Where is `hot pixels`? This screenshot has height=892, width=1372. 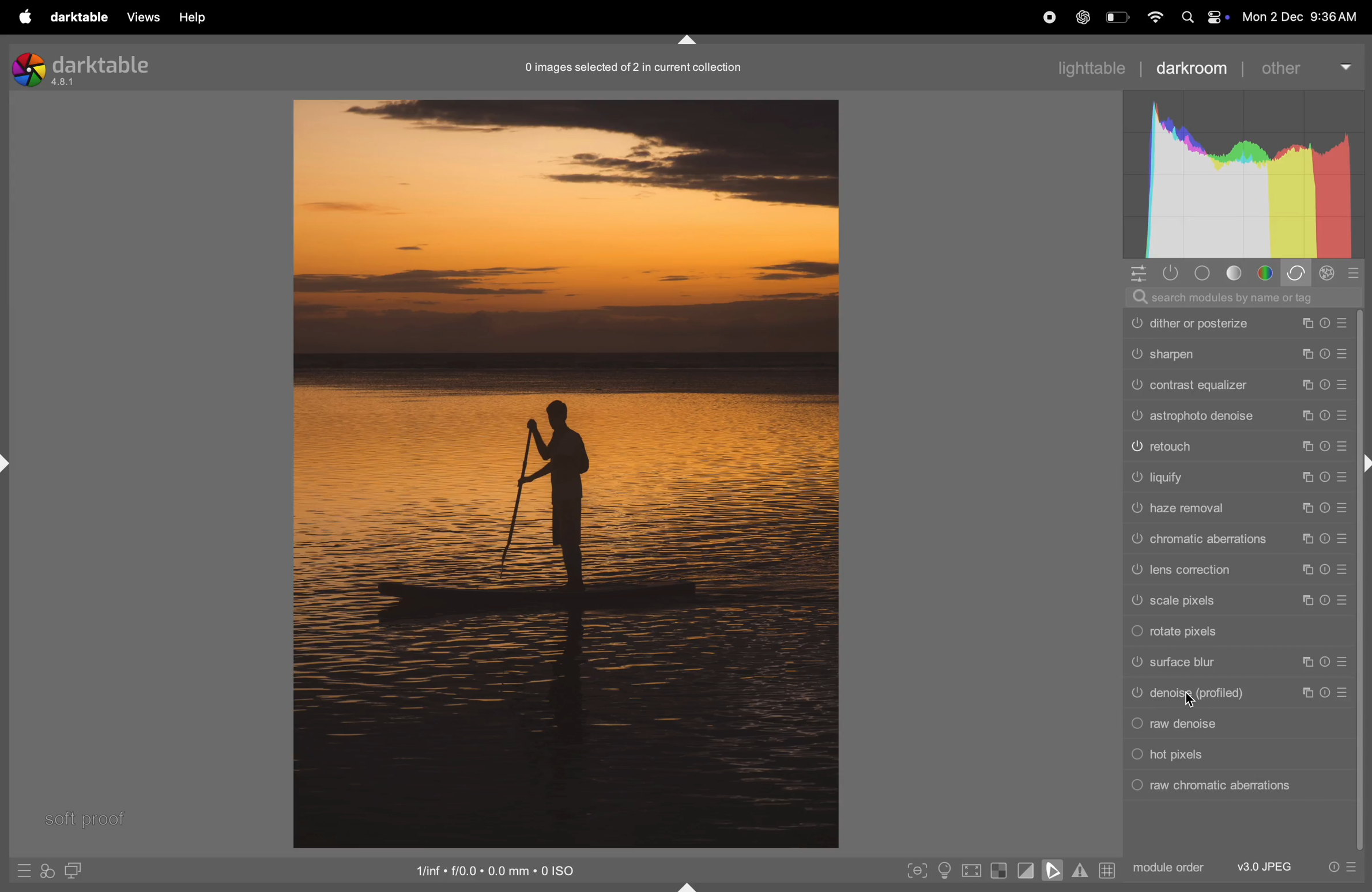
hot pixels is located at coordinates (1243, 754).